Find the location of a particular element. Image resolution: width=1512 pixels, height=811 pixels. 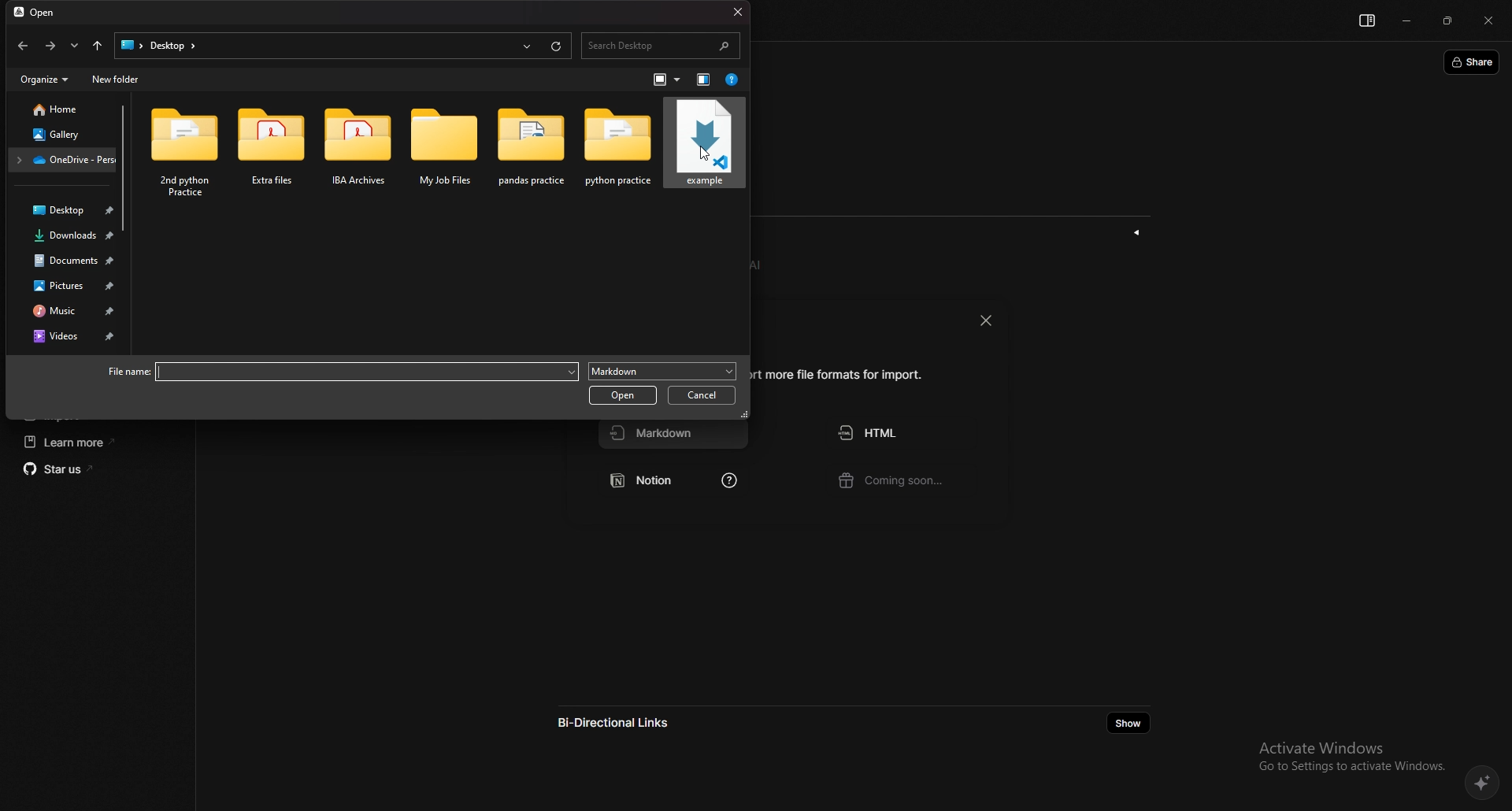

refresh is located at coordinates (558, 46).